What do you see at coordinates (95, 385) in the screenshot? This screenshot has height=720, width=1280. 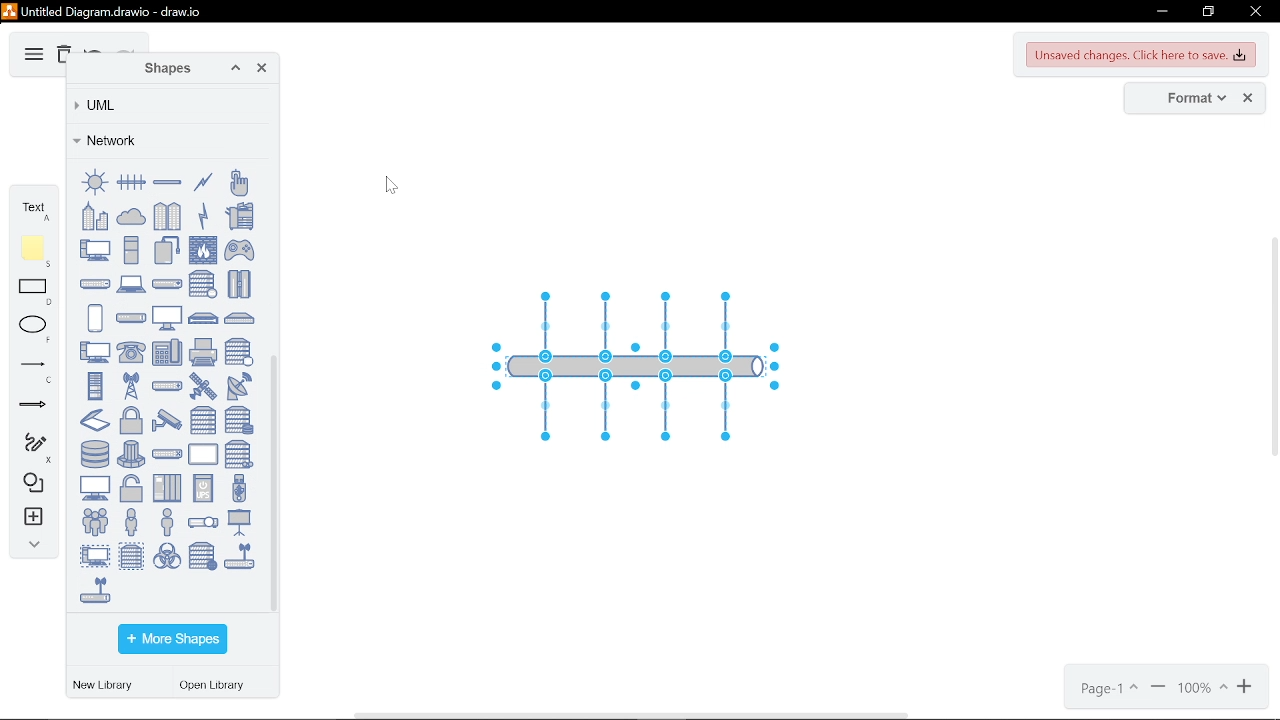 I see `rack` at bounding box center [95, 385].